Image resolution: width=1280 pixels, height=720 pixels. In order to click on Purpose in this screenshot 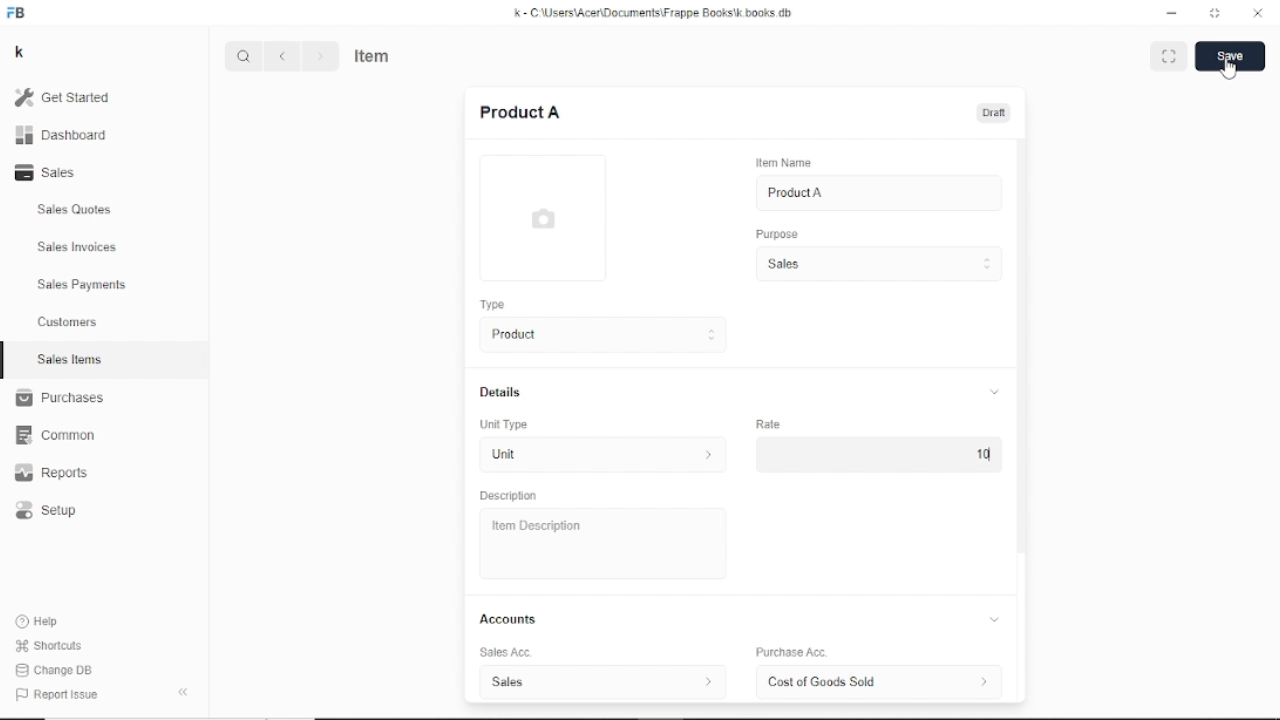, I will do `click(775, 233)`.